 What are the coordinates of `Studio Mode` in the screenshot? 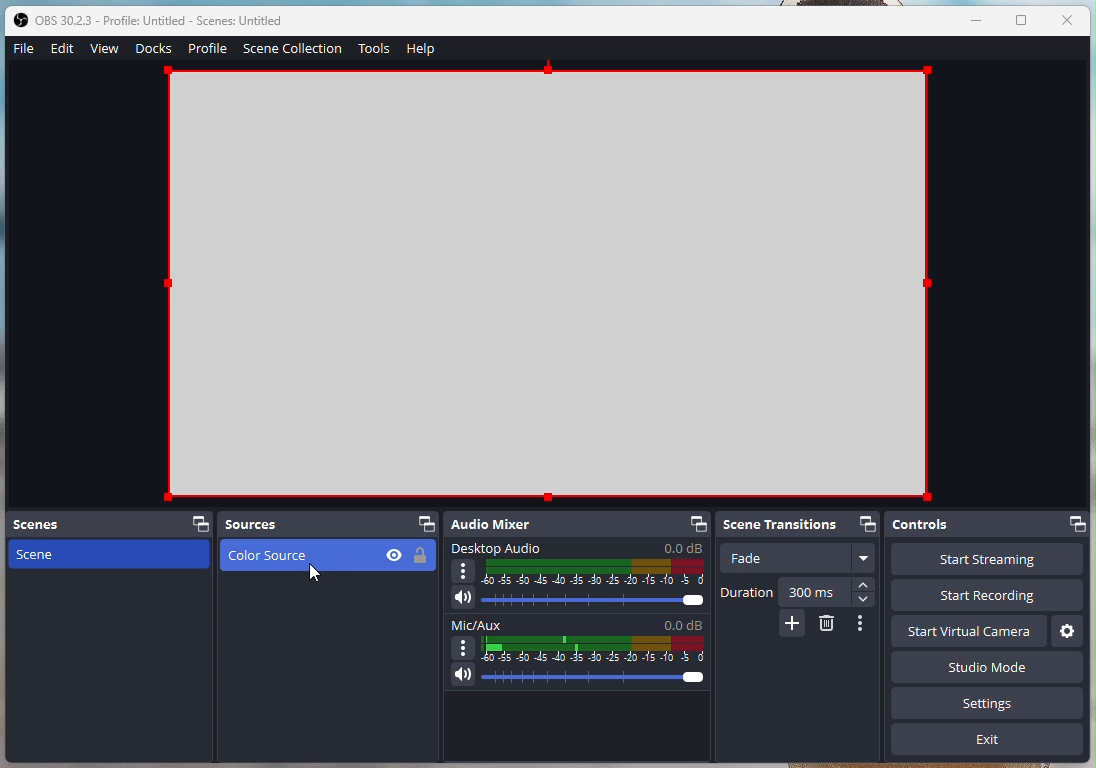 It's located at (928, 670).